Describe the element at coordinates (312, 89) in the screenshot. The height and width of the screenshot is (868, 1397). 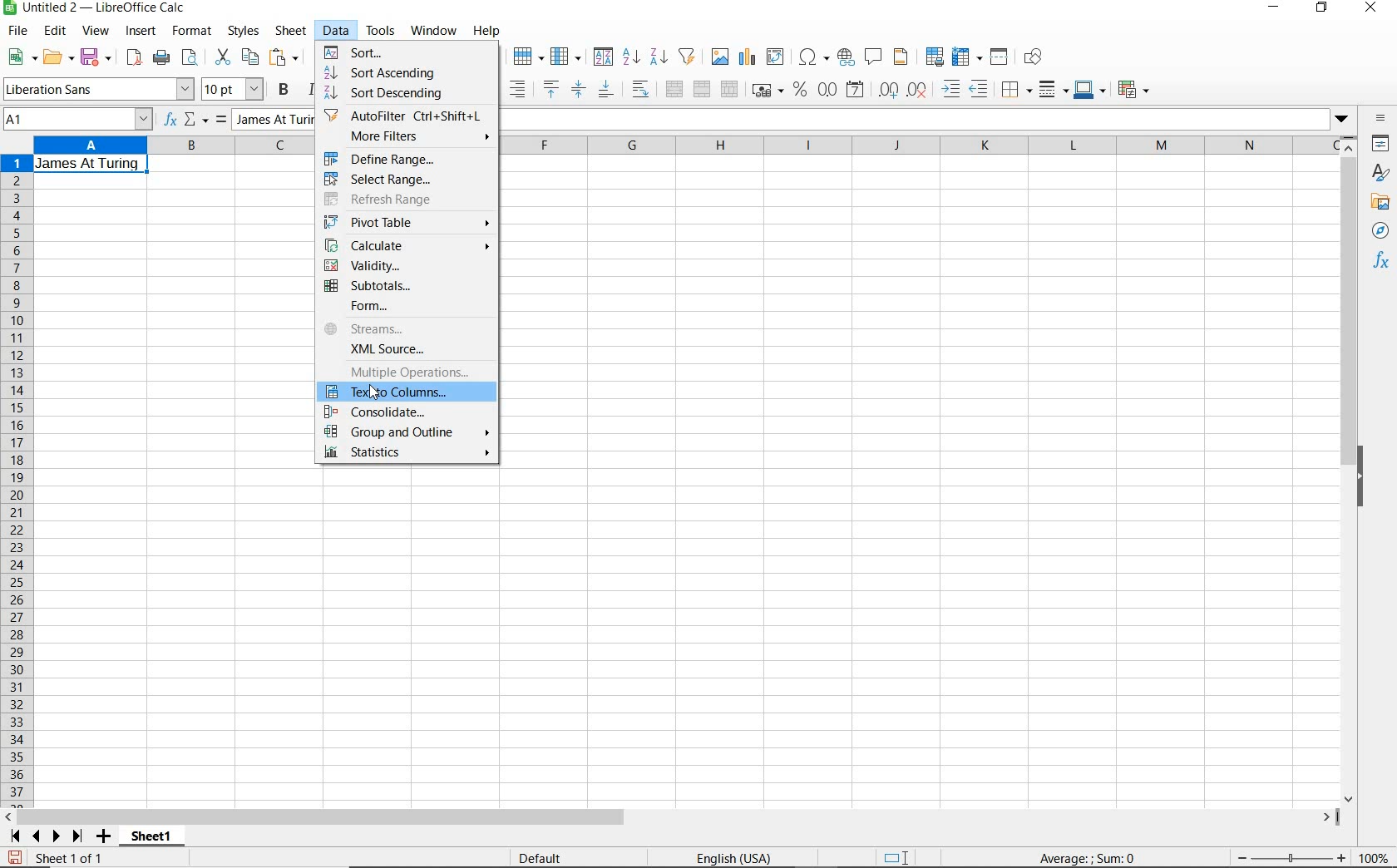
I see `italic` at that location.